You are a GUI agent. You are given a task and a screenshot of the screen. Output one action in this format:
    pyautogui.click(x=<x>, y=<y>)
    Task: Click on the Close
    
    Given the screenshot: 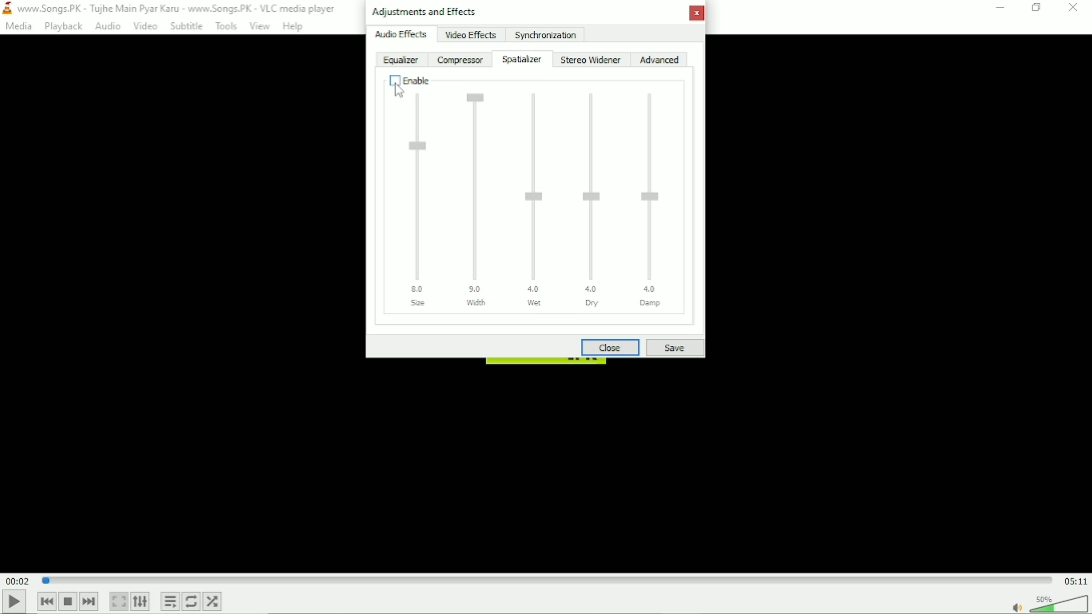 What is the action you would take?
    pyautogui.click(x=610, y=346)
    